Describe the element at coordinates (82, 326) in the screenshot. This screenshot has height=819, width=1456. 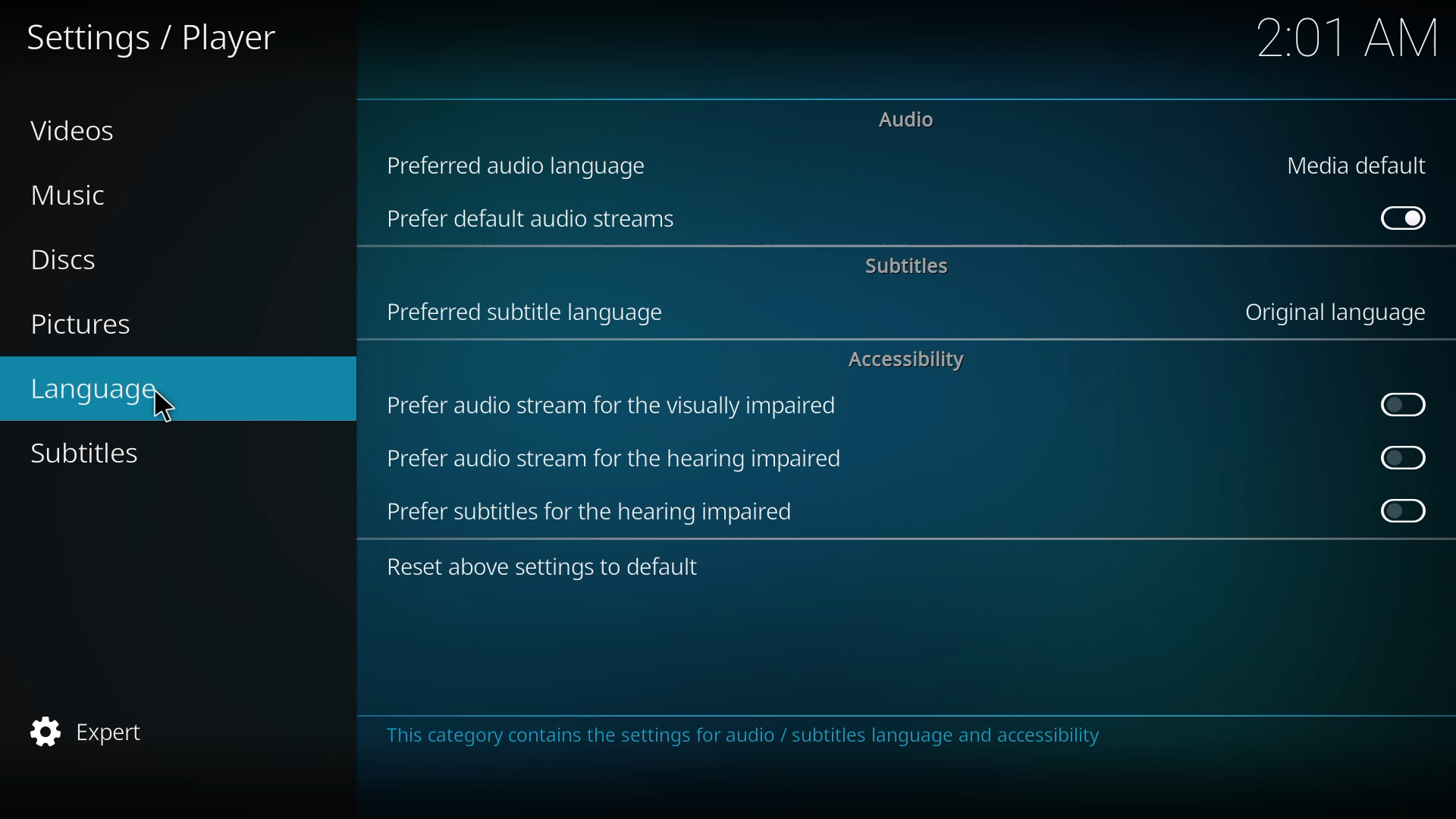
I see `pictures` at that location.